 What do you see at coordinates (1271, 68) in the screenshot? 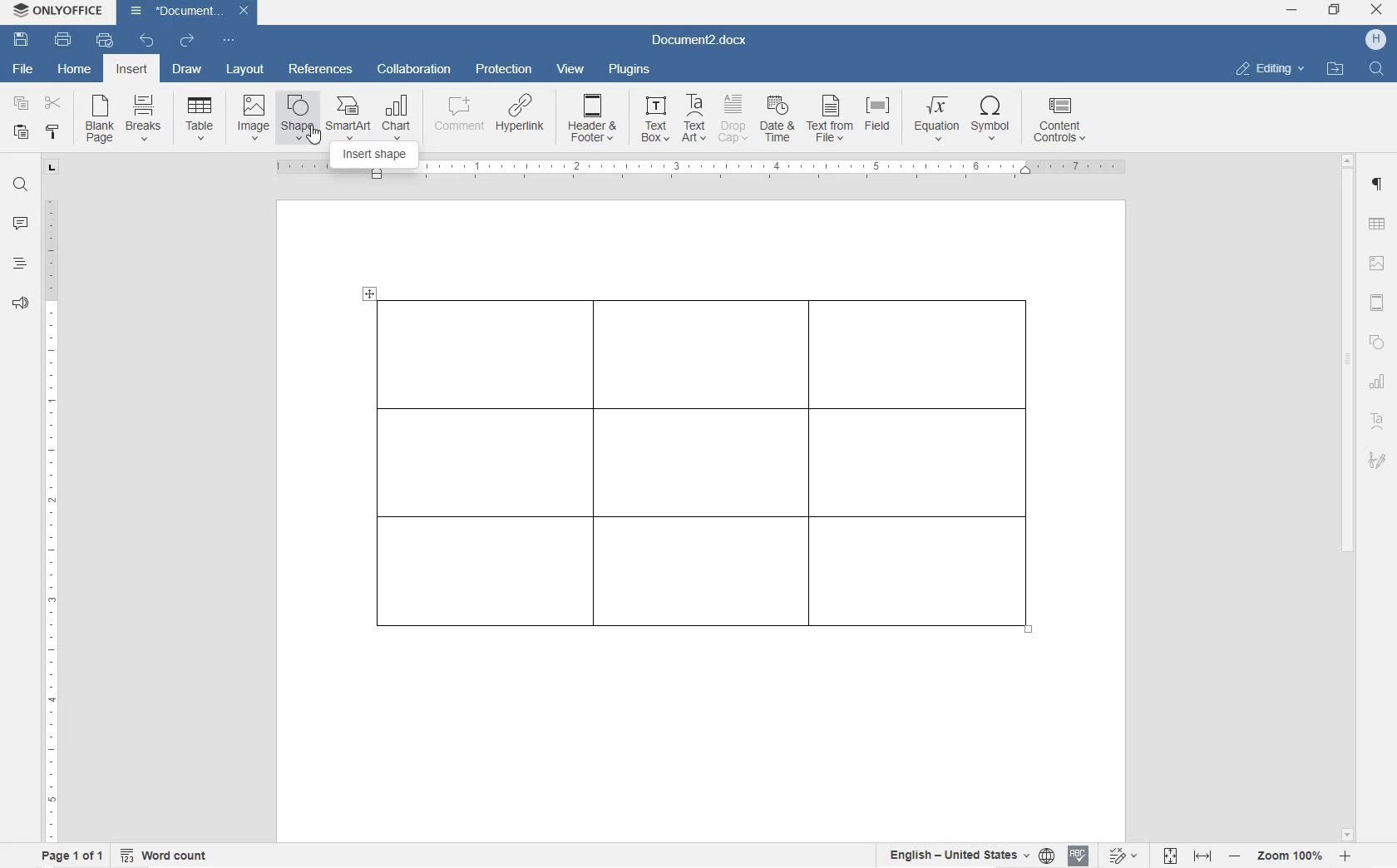
I see `EDITING` at bounding box center [1271, 68].